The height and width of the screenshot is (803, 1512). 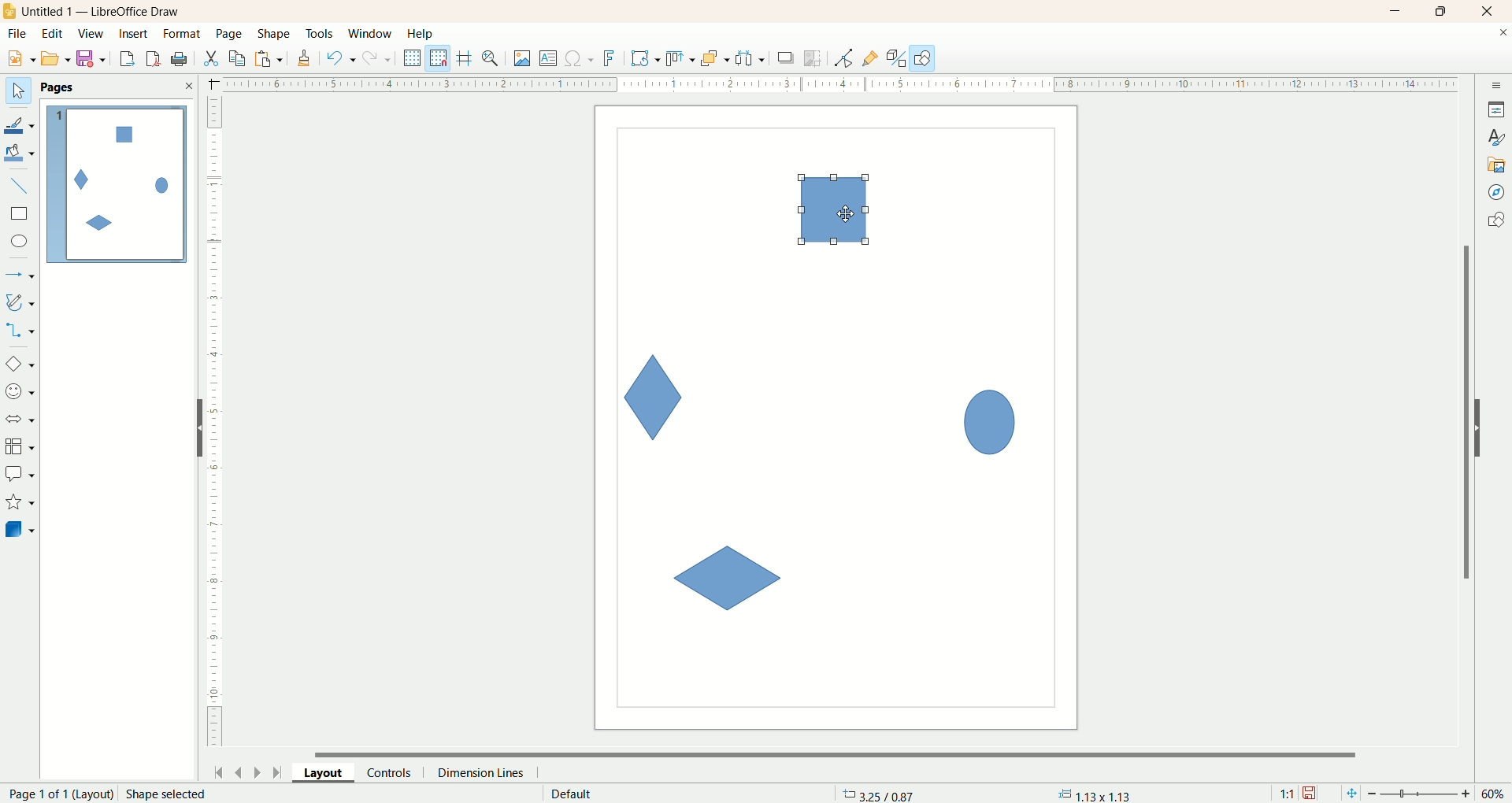 What do you see at coordinates (1496, 135) in the screenshot?
I see `styles` at bounding box center [1496, 135].